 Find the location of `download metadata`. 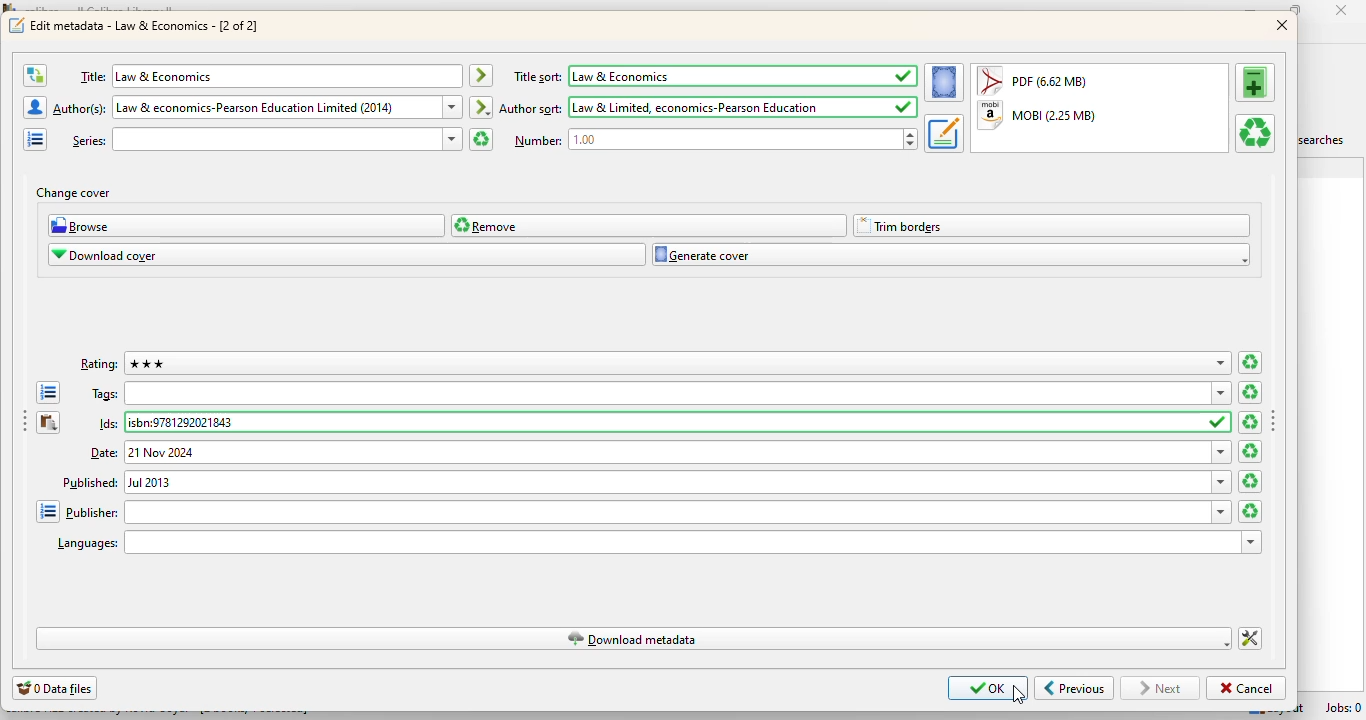

download metadata is located at coordinates (634, 638).